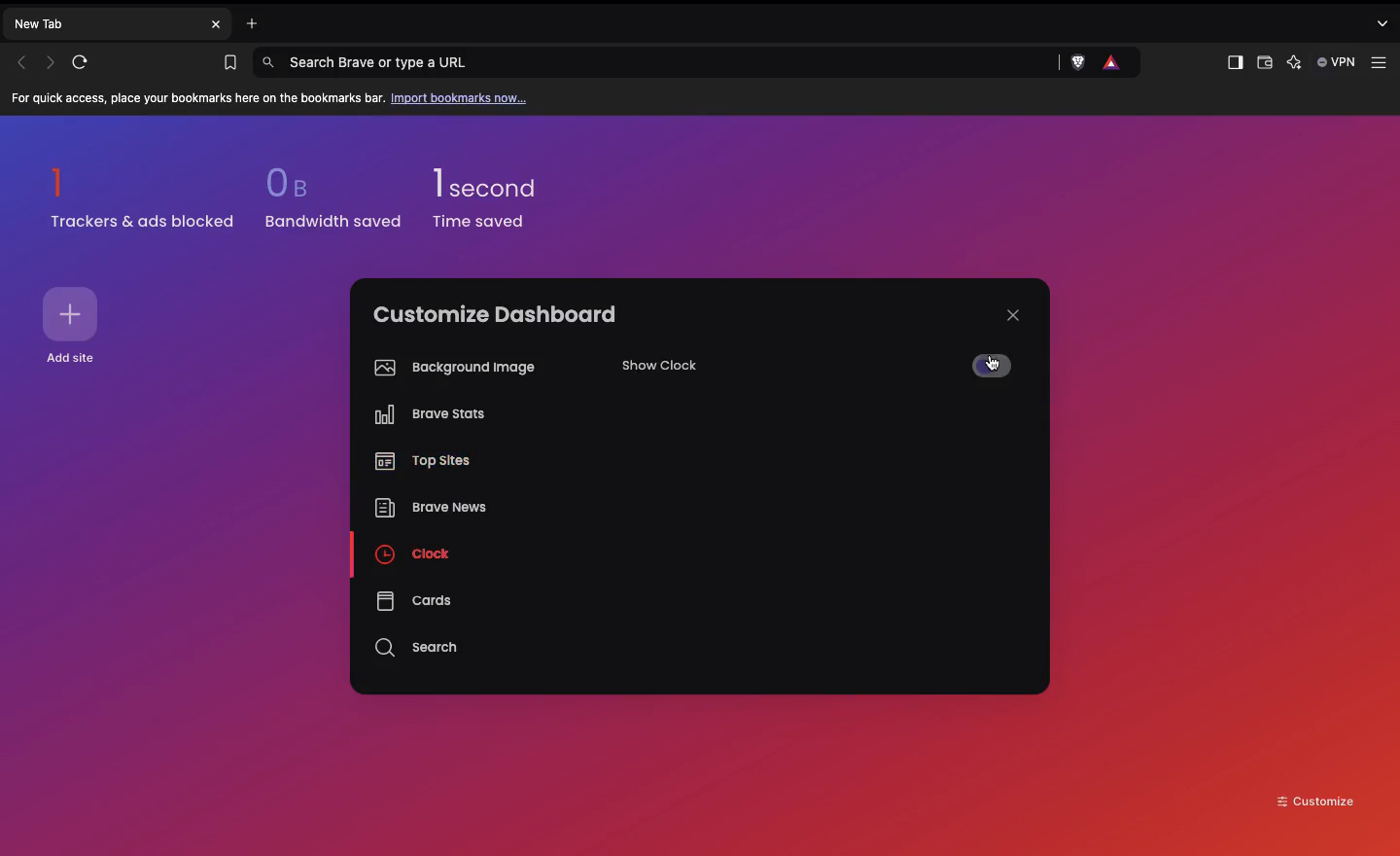 This screenshot has width=1400, height=856. What do you see at coordinates (992, 364) in the screenshot?
I see `cursor` at bounding box center [992, 364].